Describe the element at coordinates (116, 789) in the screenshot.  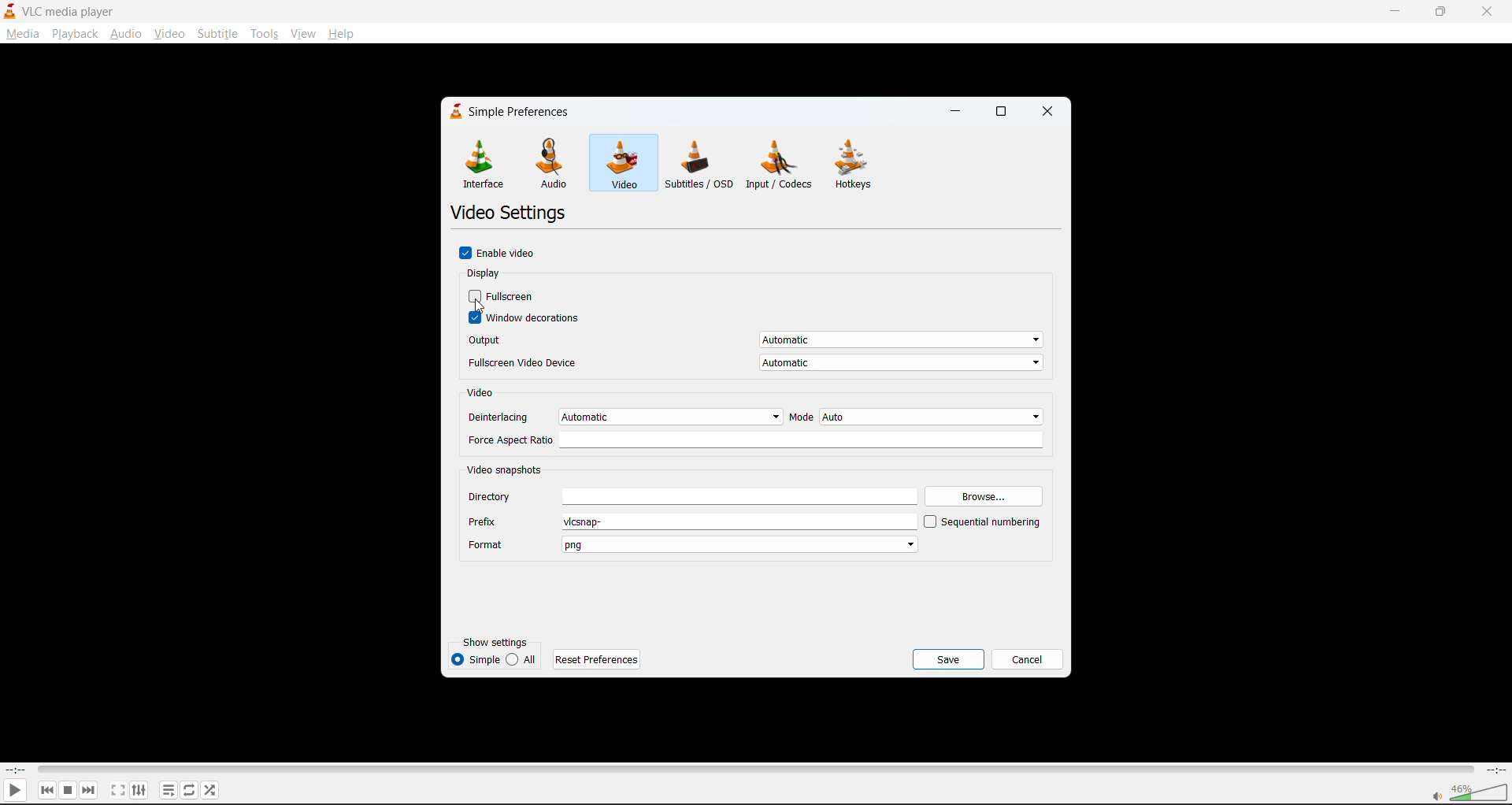
I see `fullscreen` at that location.